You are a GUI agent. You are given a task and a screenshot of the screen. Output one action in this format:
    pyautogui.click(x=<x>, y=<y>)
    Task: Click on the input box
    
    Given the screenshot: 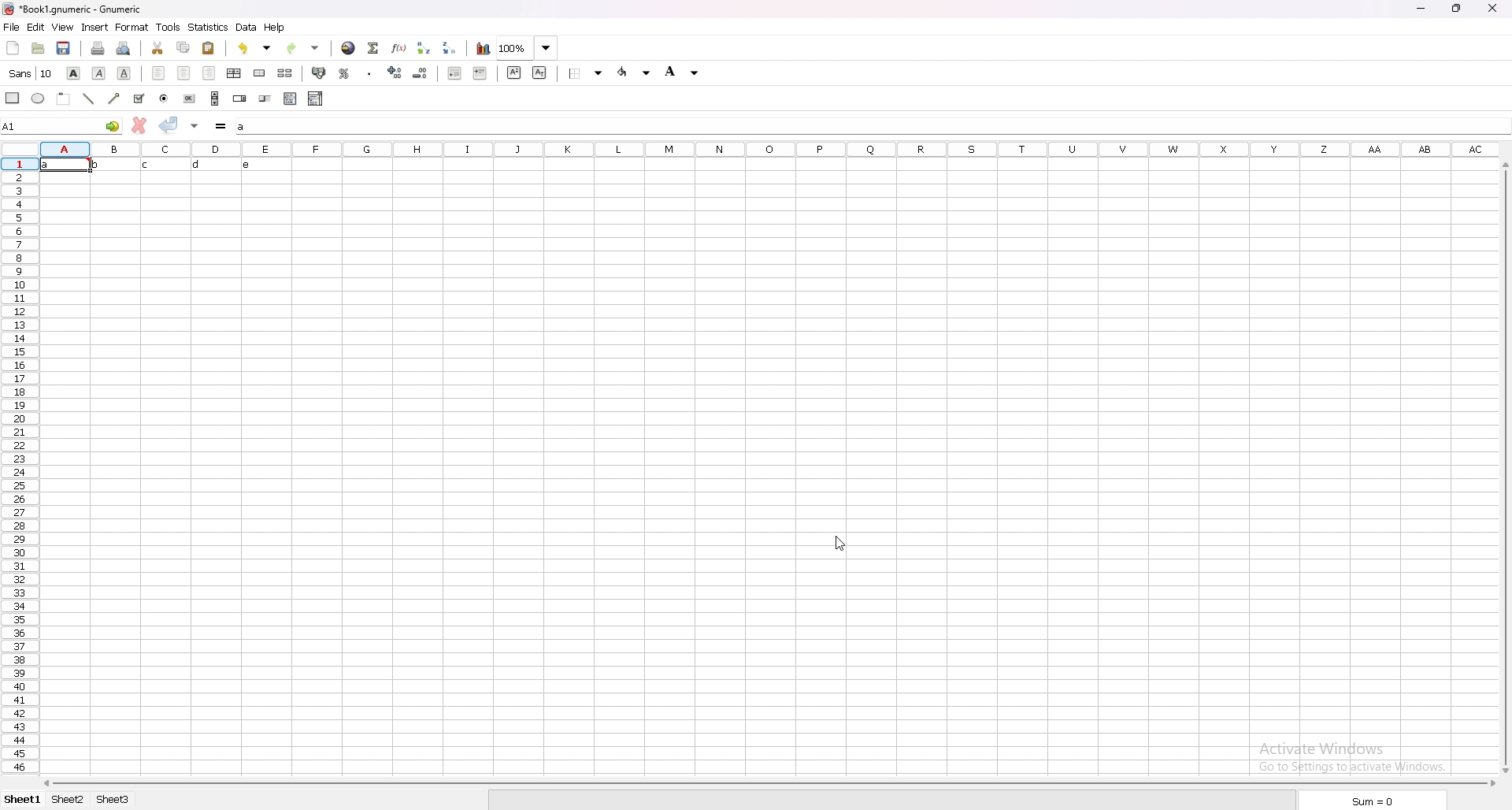 What is the action you would take?
    pyautogui.click(x=872, y=127)
    